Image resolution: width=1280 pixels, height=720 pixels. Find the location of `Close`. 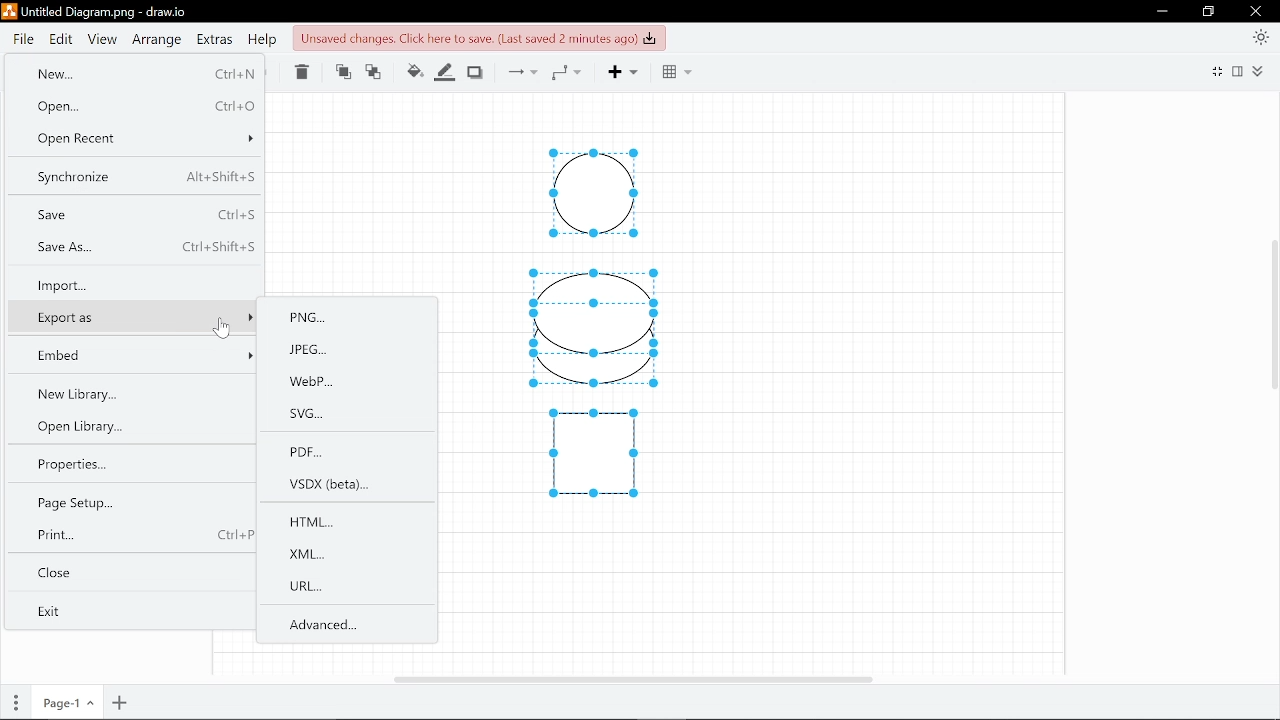

Close is located at coordinates (1257, 12).